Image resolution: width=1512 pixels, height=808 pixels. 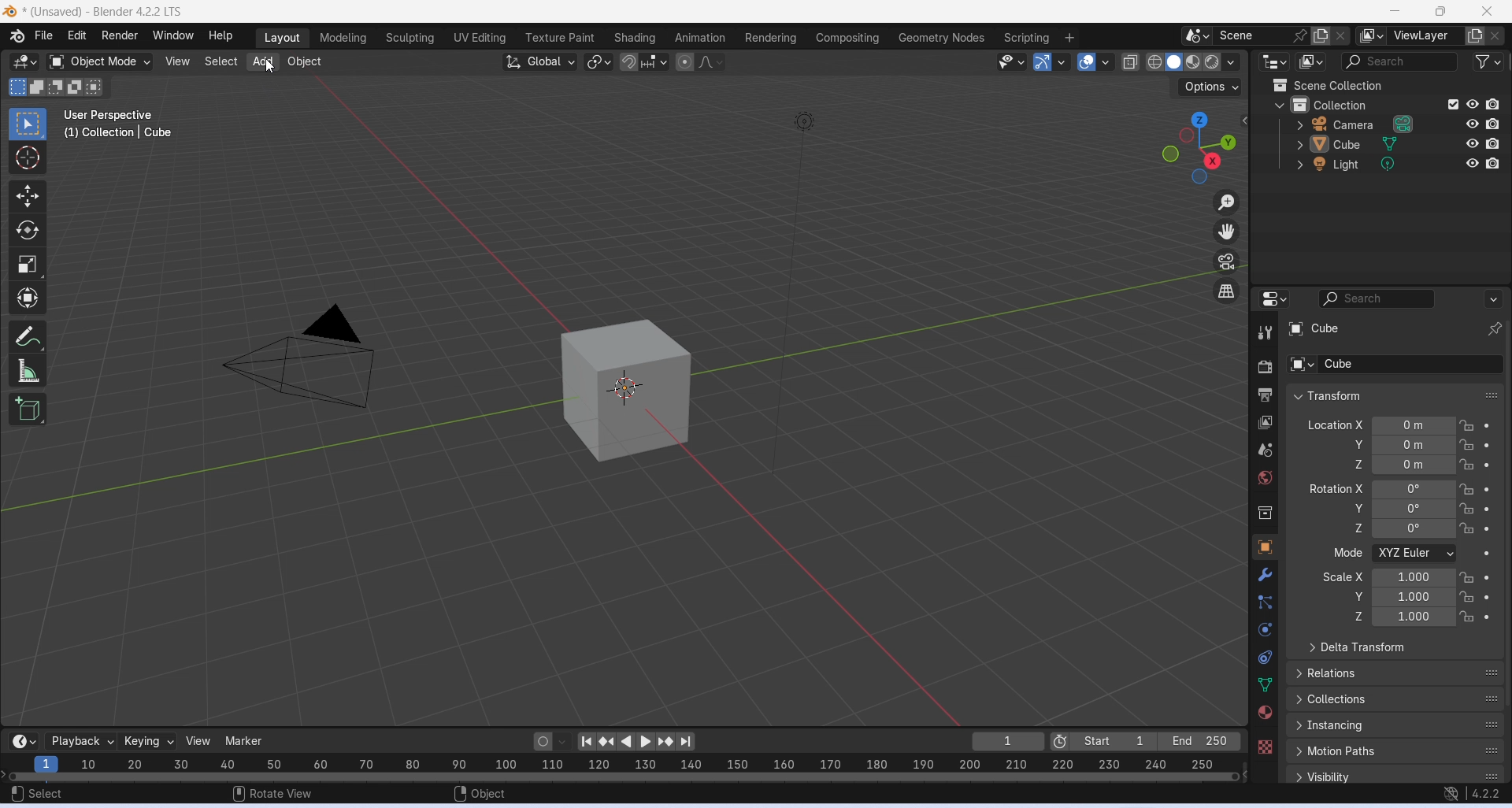 I want to click on delta transform, so click(x=1395, y=647).